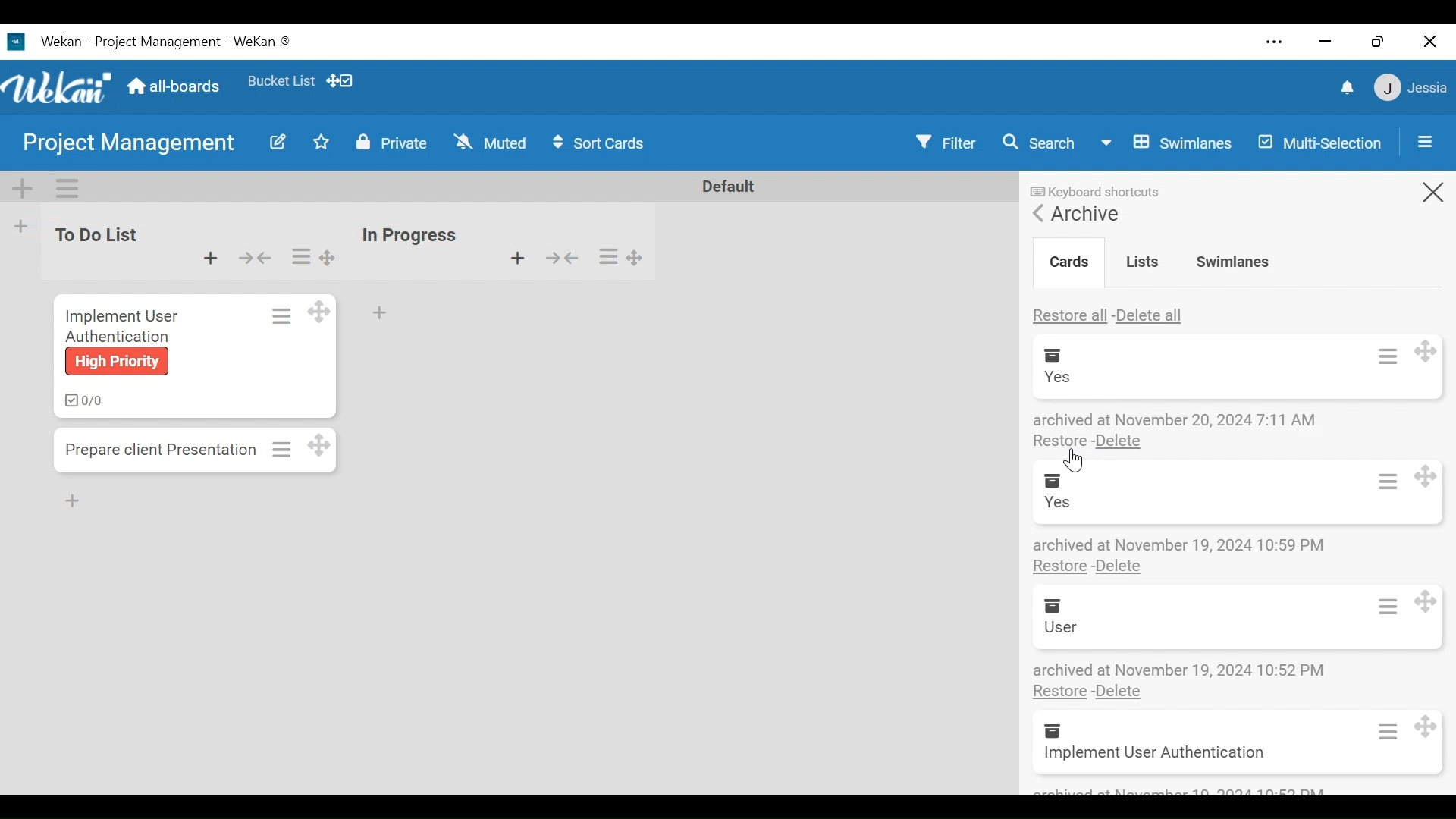 The height and width of the screenshot is (819, 1456). I want to click on checklist, so click(80, 400).